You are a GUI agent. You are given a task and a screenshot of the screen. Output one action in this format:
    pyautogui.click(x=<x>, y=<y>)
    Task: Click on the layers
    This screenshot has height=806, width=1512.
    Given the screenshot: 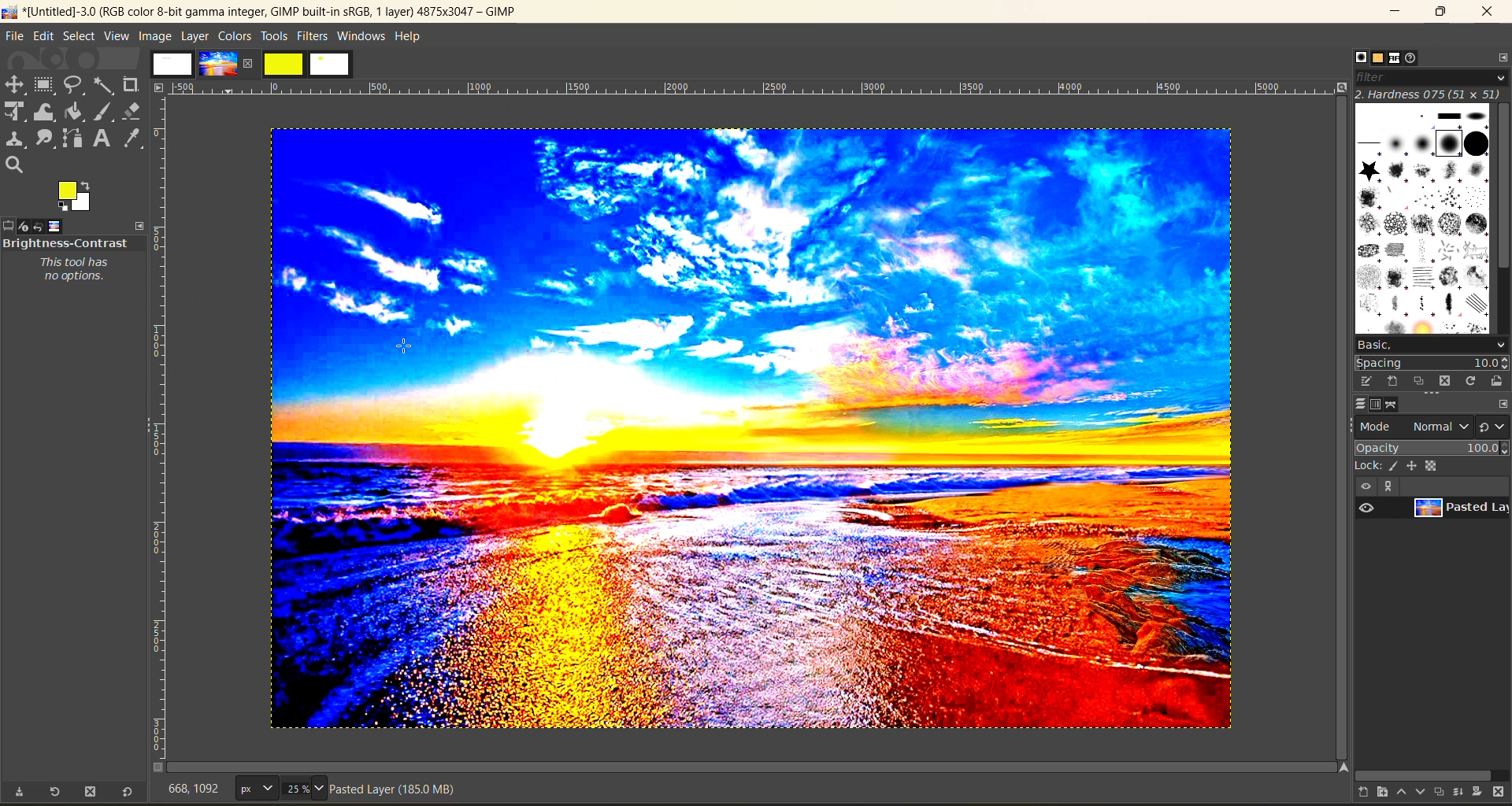 What is the action you would take?
    pyautogui.click(x=1360, y=404)
    